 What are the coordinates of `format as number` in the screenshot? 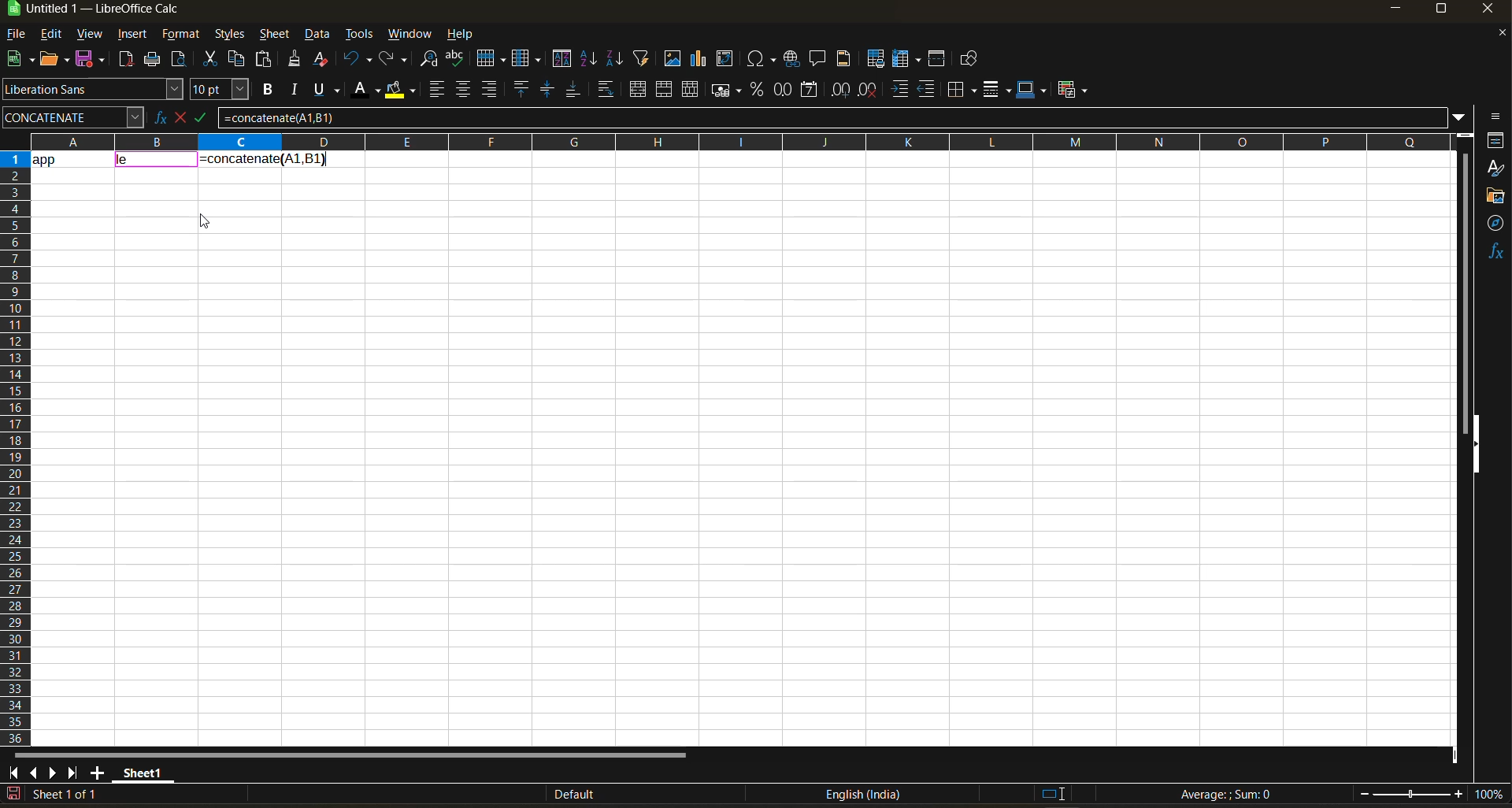 It's located at (787, 91).